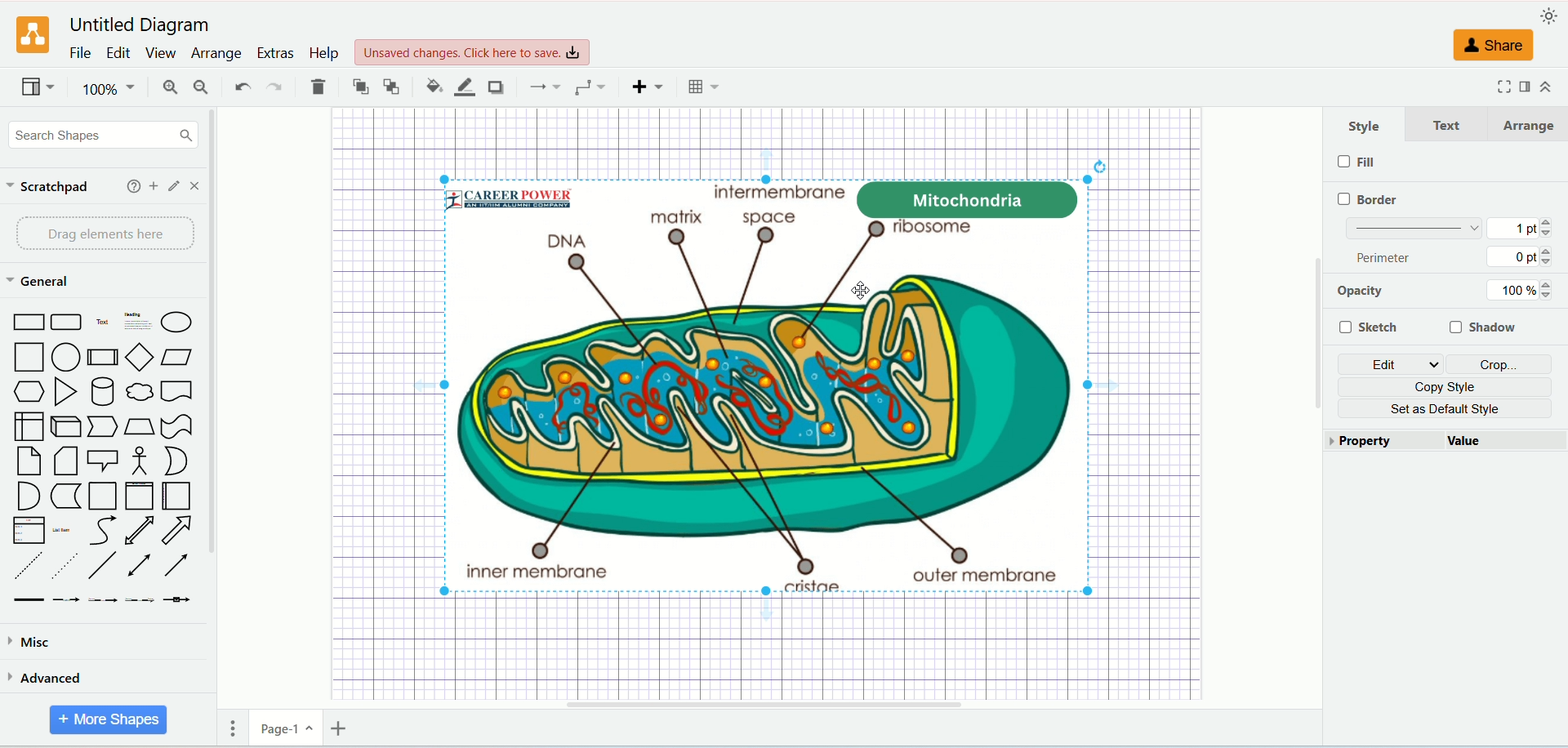 This screenshot has height=748, width=1568. What do you see at coordinates (139, 428) in the screenshot?
I see `Trapezoid` at bounding box center [139, 428].